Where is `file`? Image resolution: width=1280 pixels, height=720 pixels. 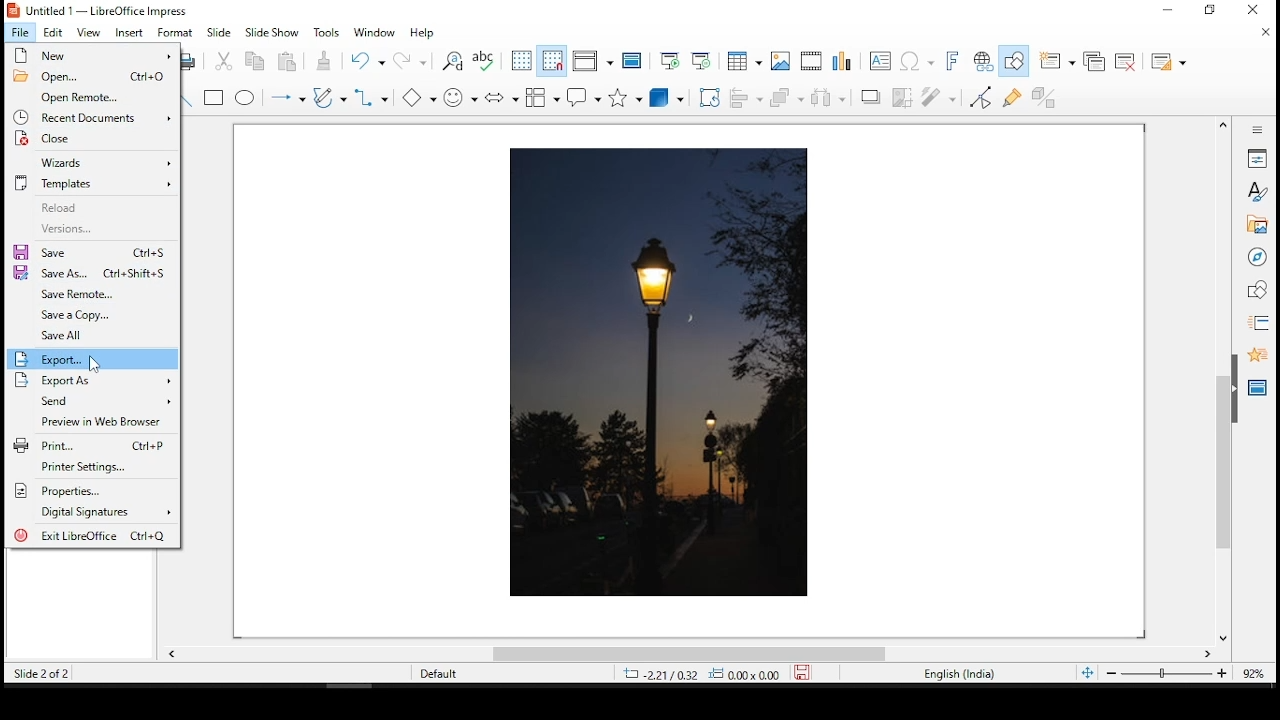
file is located at coordinates (21, 32).